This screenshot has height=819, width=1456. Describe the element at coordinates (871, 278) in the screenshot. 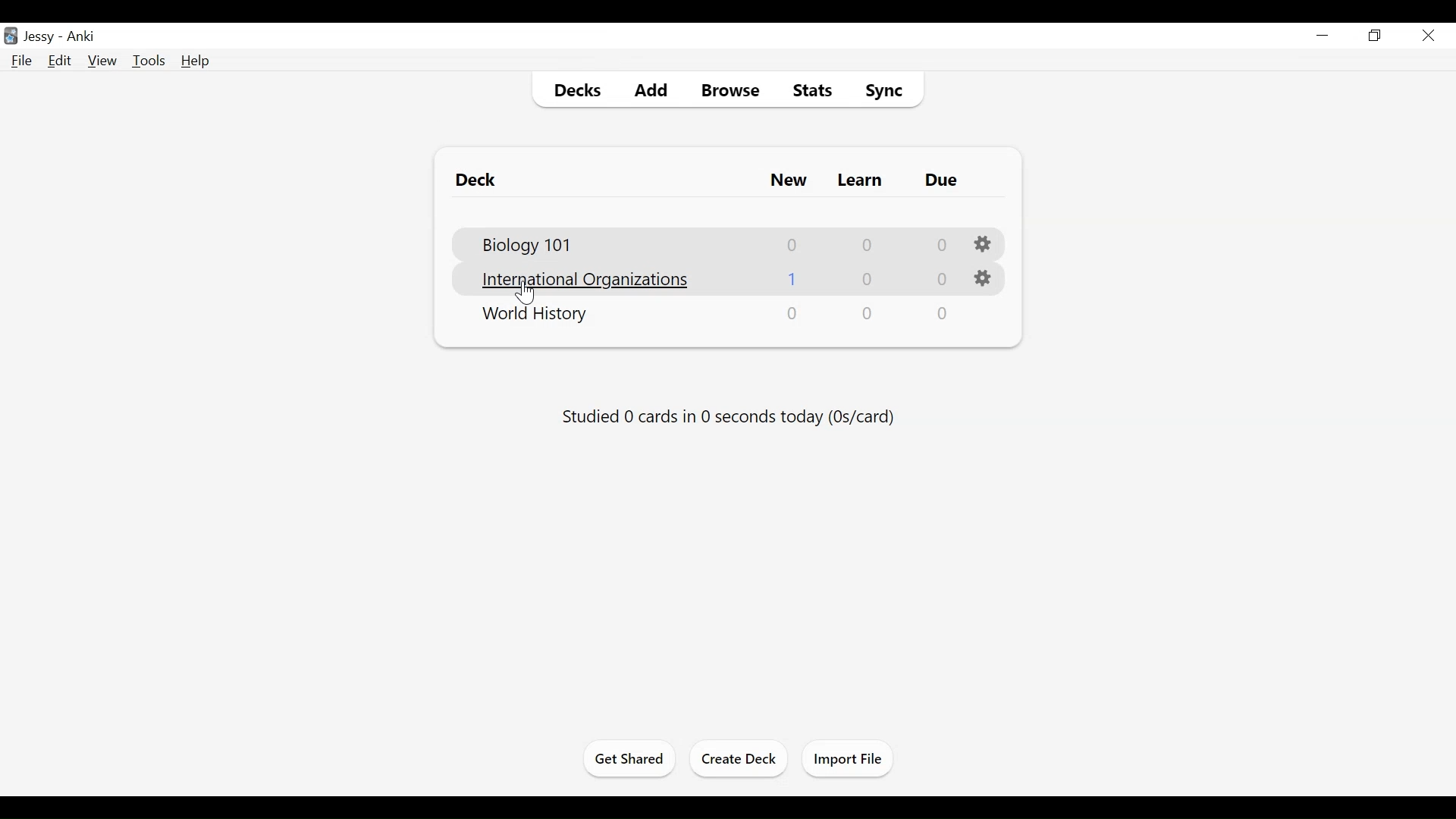

I see `0` at that location.